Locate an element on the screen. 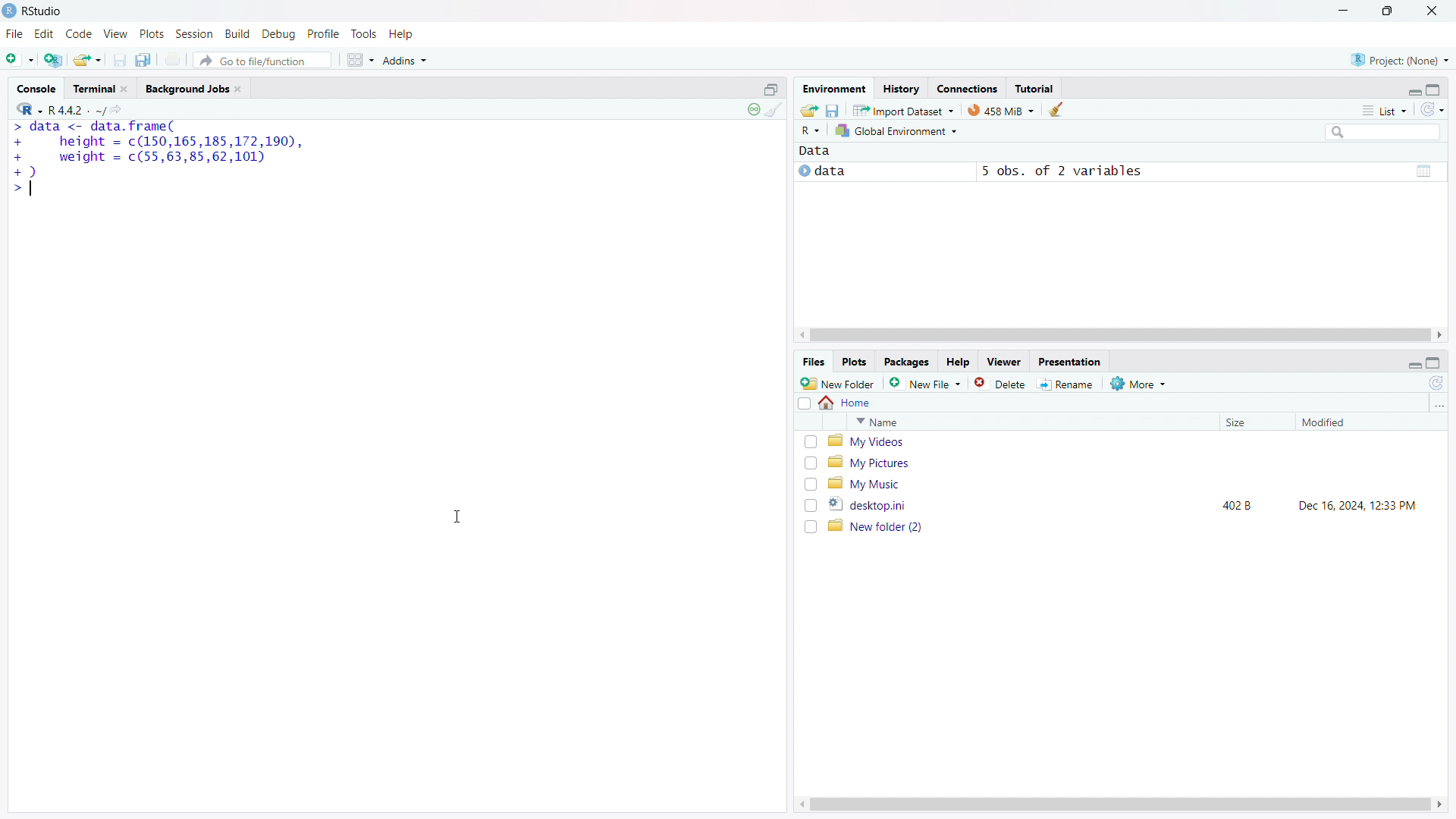  file is located at coordinates (14, 34).